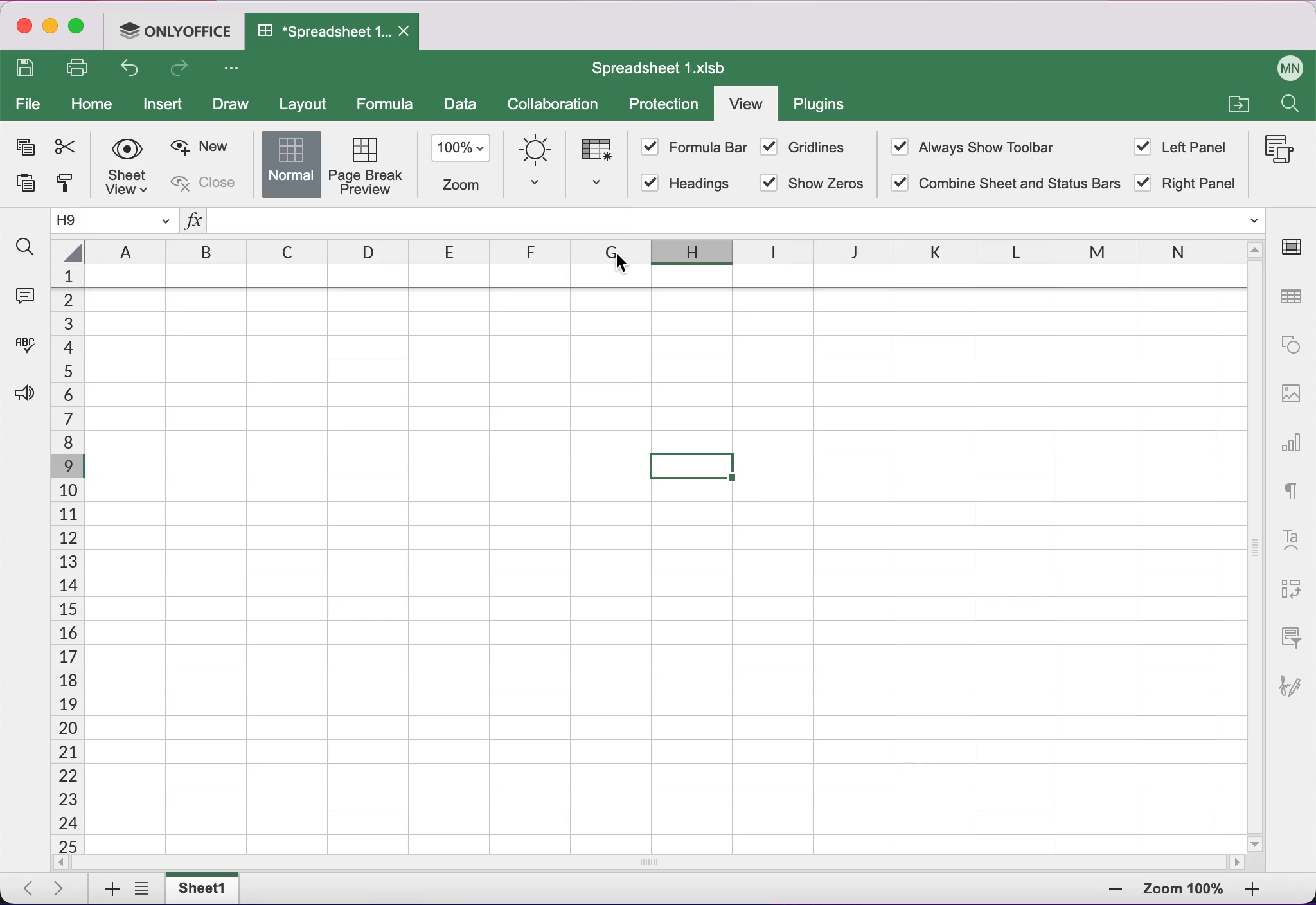 The width and height of the screenshot is (1316, 905). I want to click on maximize, so click(79, 28).